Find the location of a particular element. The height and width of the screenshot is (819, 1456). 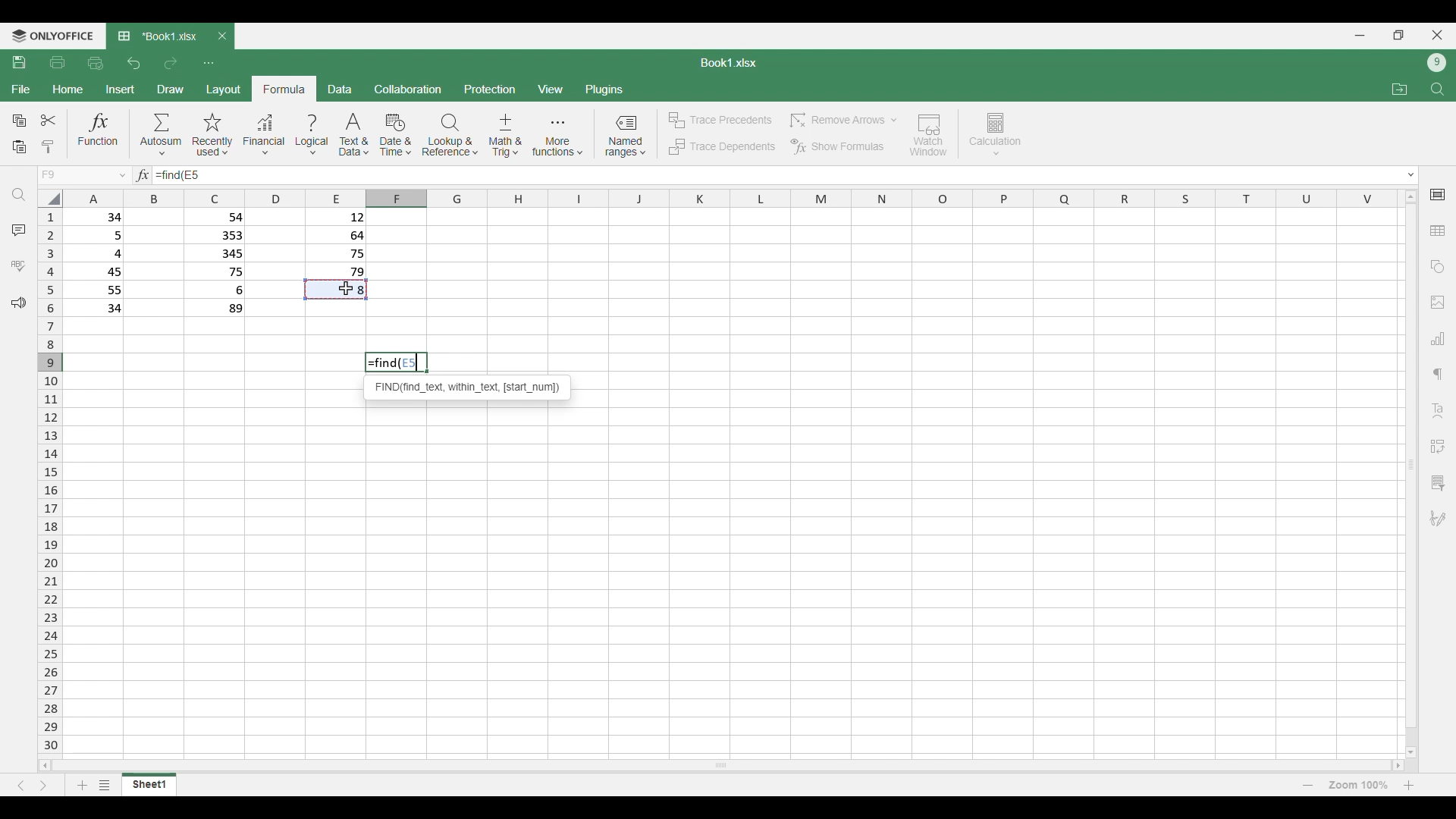

Find function is located at coordinates (382, 362).